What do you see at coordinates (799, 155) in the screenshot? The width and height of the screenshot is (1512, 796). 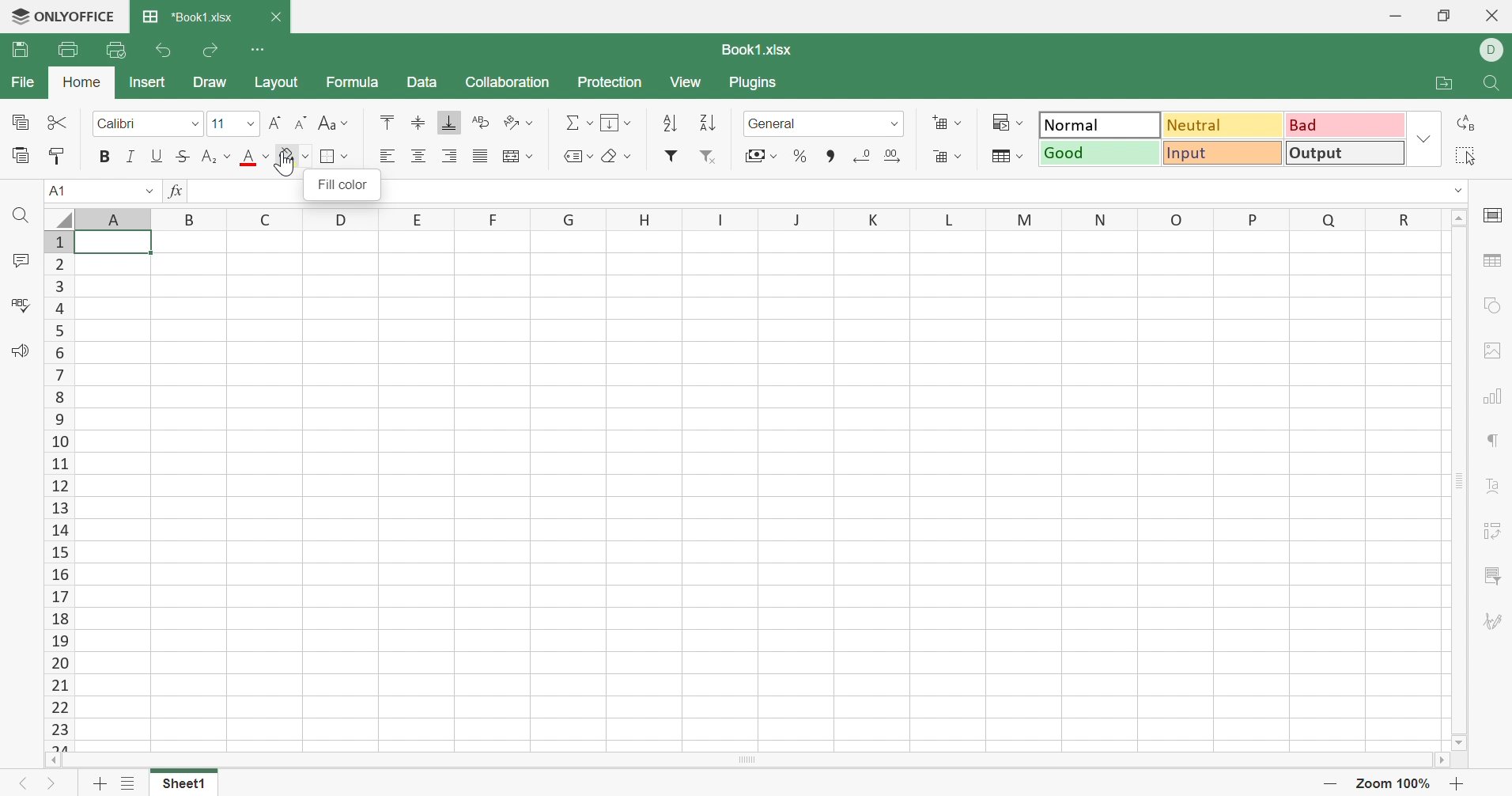 I see `Percentage style` at bounding box center [799, 155].